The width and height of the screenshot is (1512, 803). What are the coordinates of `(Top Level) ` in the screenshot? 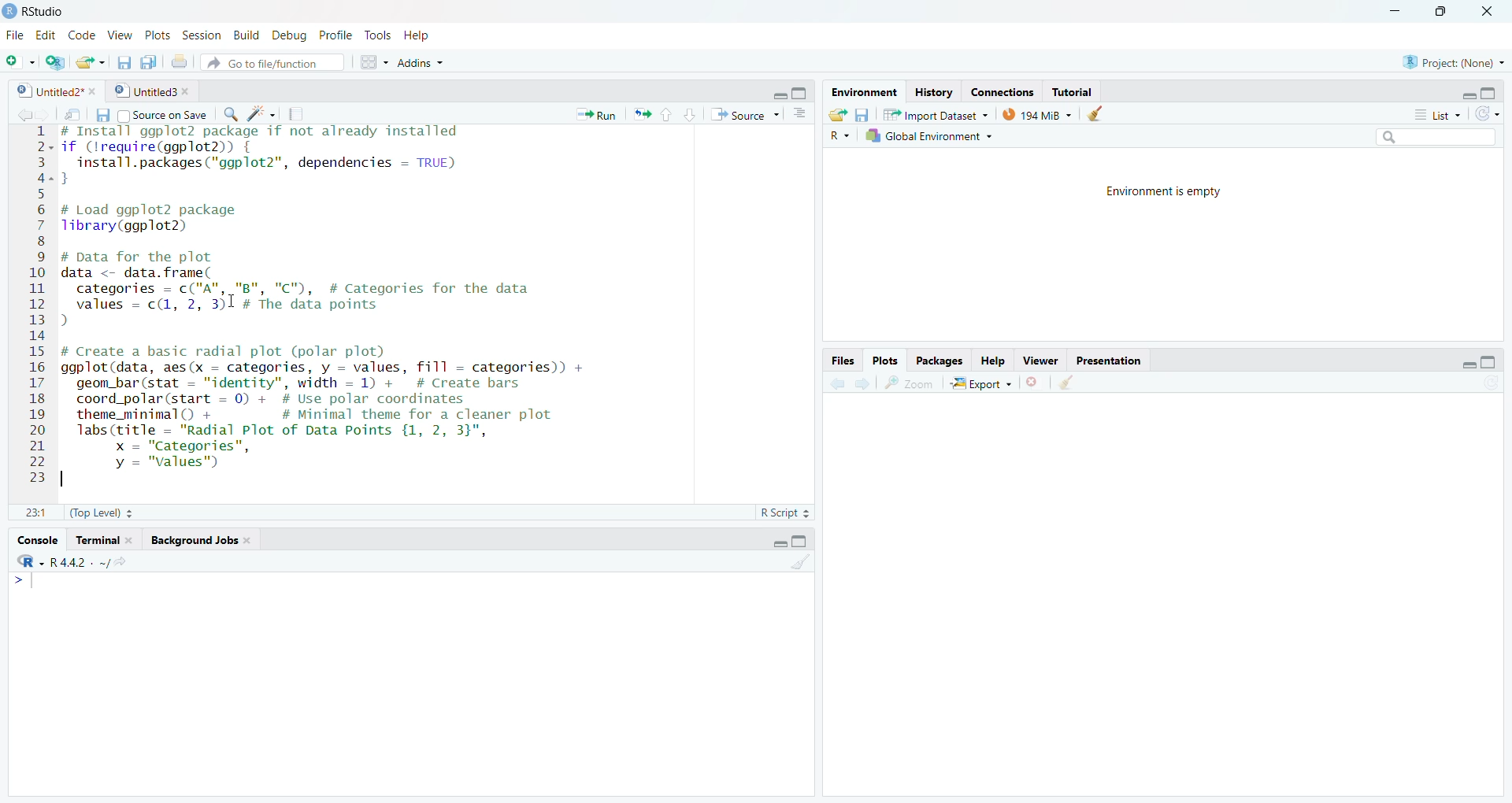 It's located at (103, 513).